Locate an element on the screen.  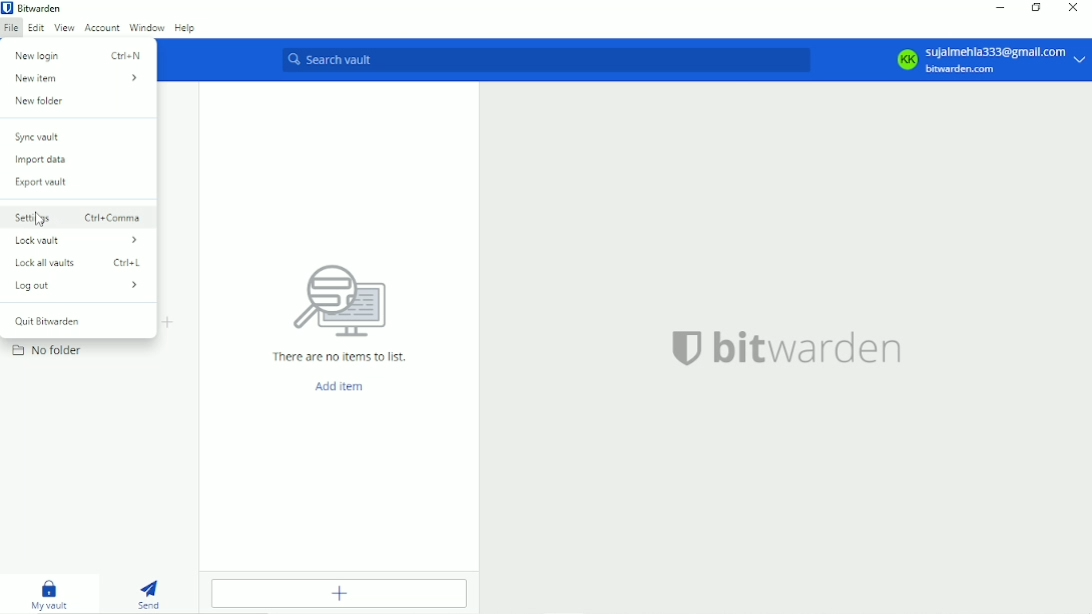
Restore down is located at coordinates (1038, 9).